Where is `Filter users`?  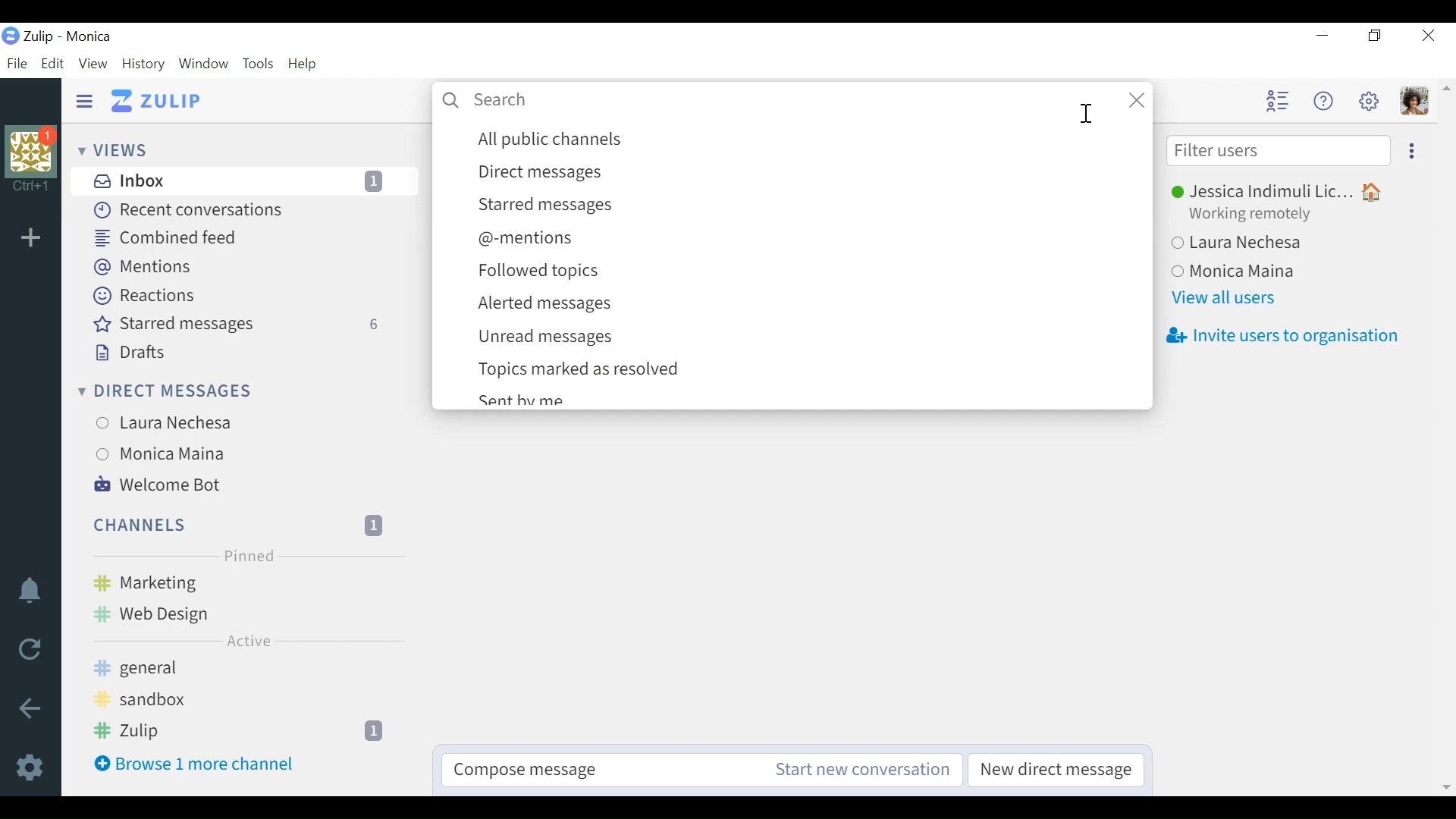
Filter users is located at coordinates (1280, 152).